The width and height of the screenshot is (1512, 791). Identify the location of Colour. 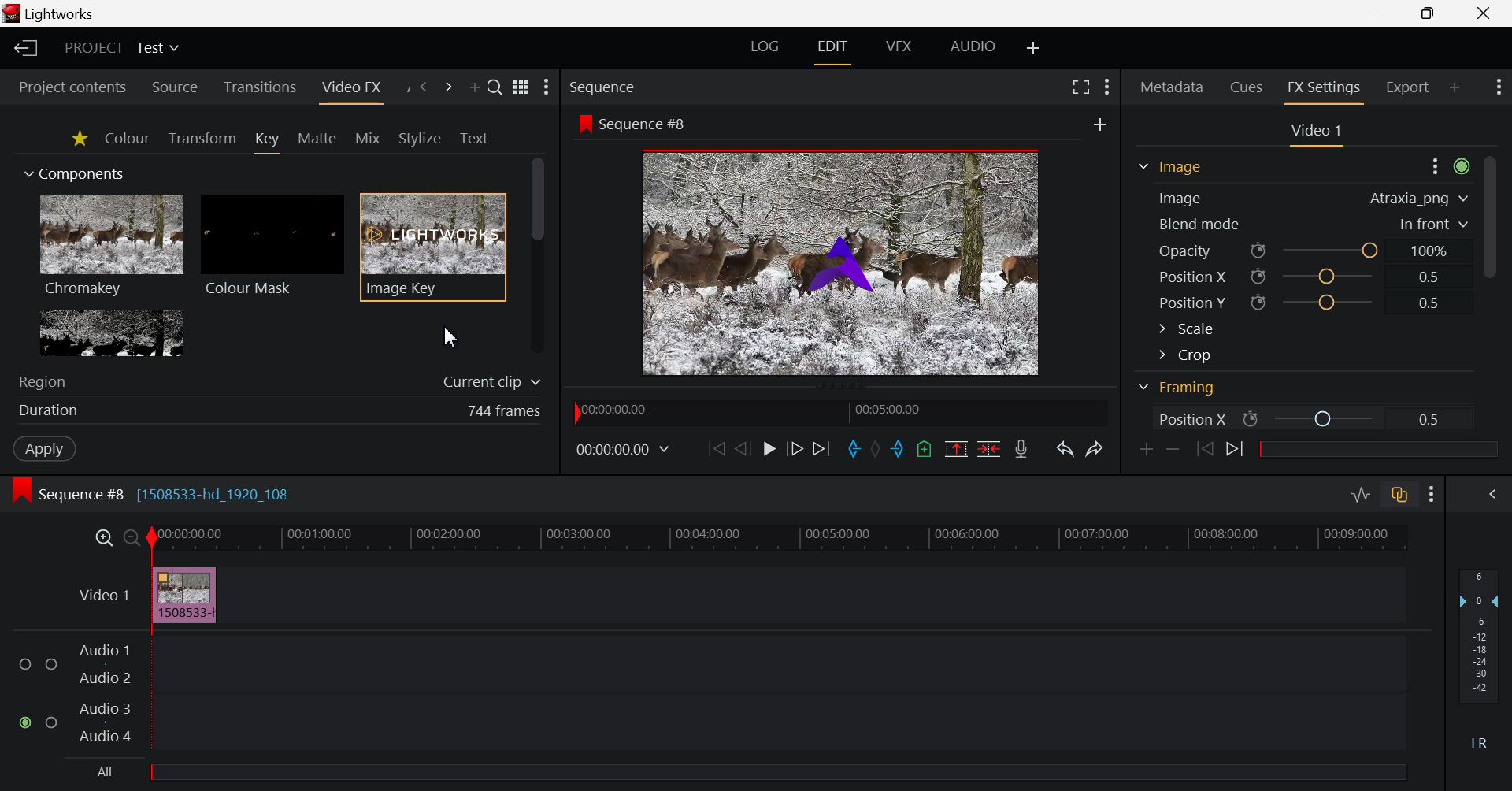
(128, 139).